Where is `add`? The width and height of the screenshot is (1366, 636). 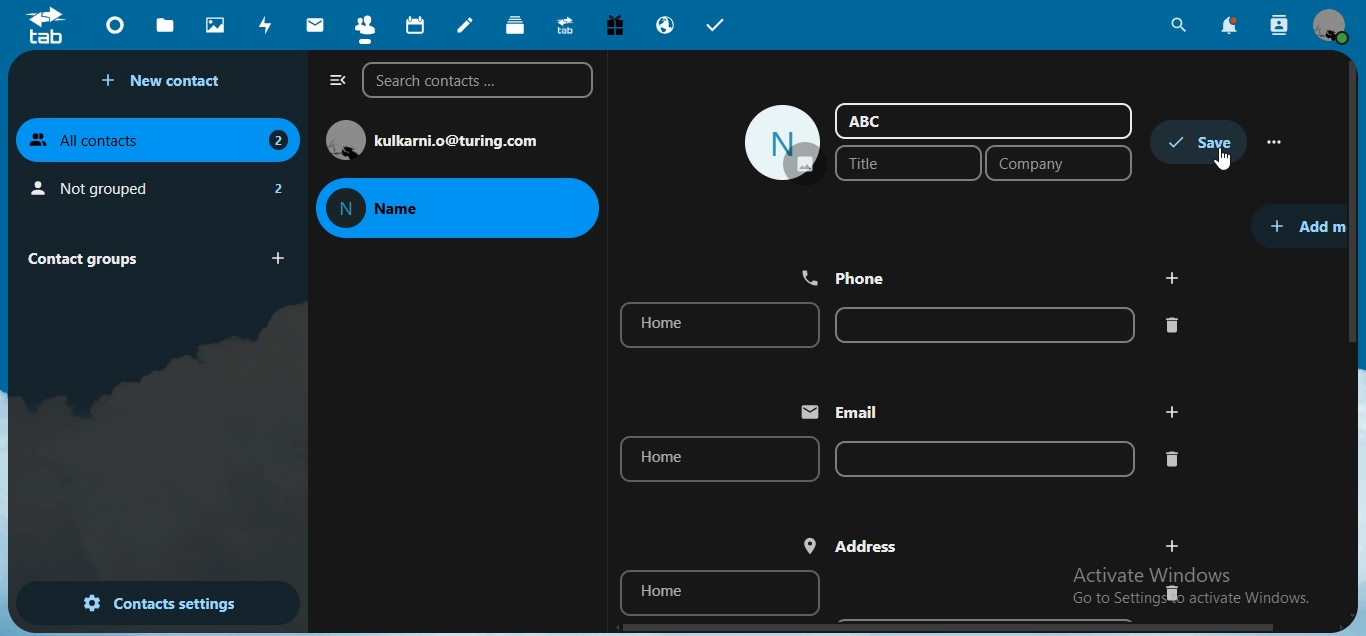 add is located at coordinates (1172, 278).